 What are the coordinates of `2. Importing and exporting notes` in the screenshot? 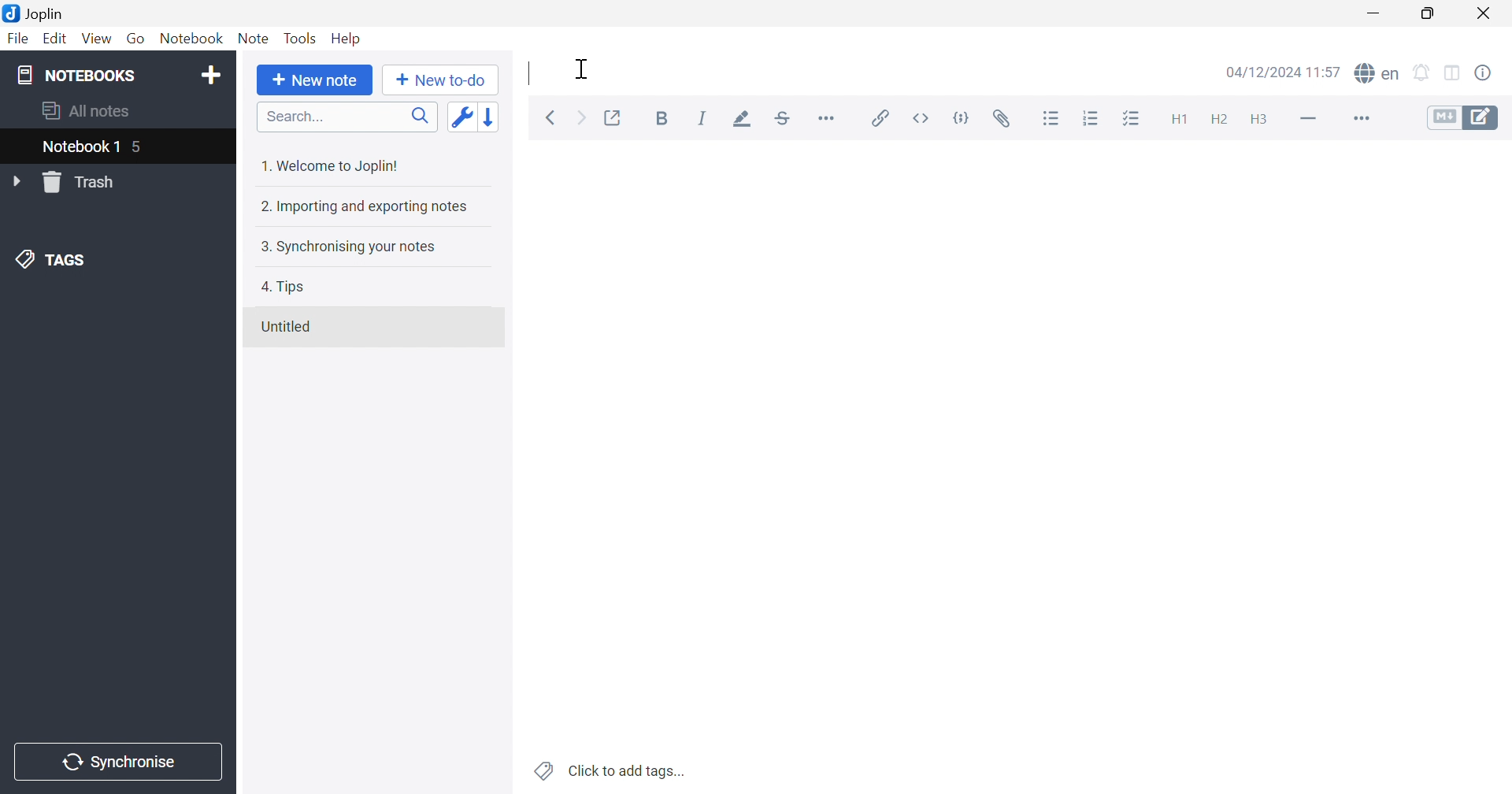 It's located at (365, 208).